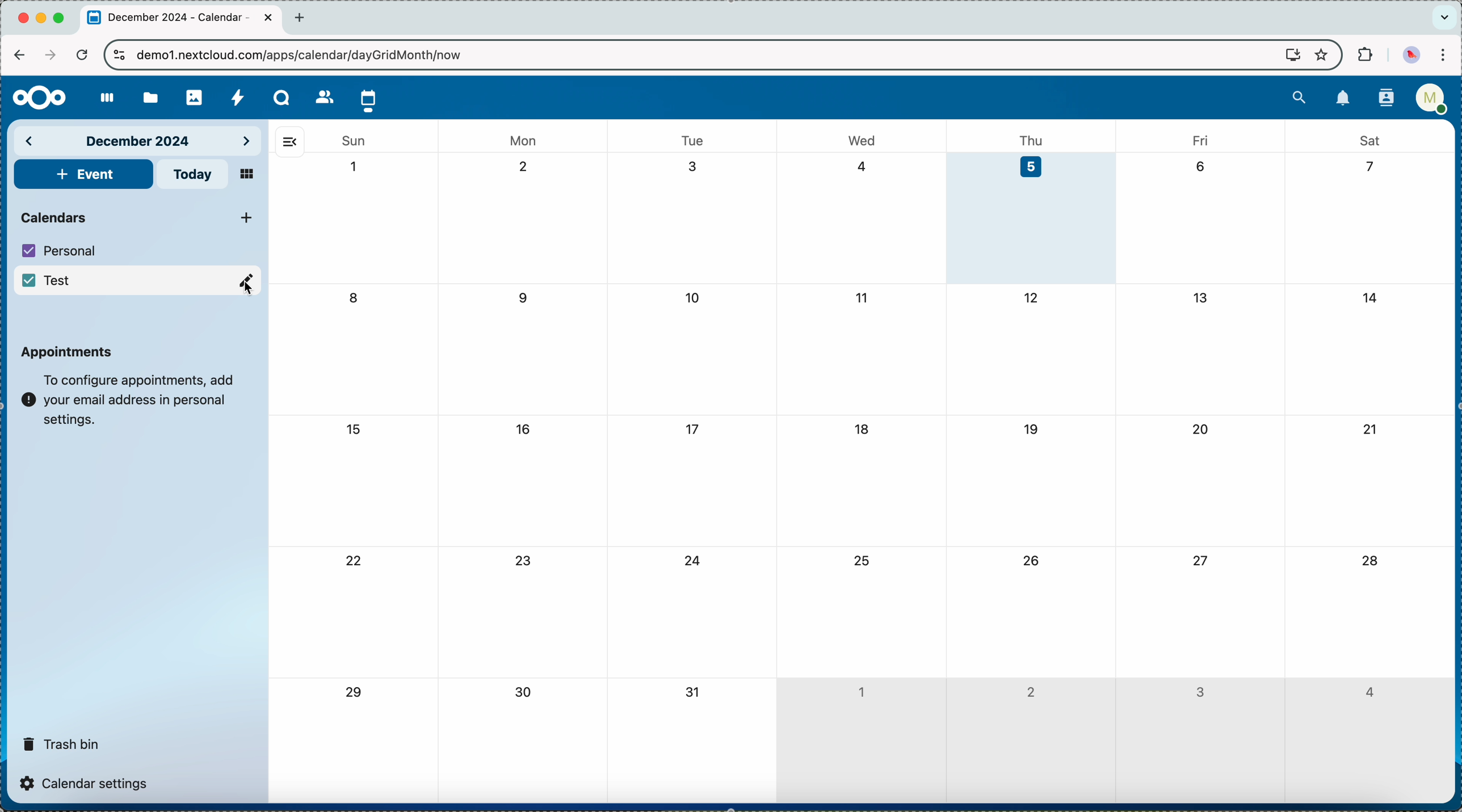  I want to click on 20, so click(1201, 429).